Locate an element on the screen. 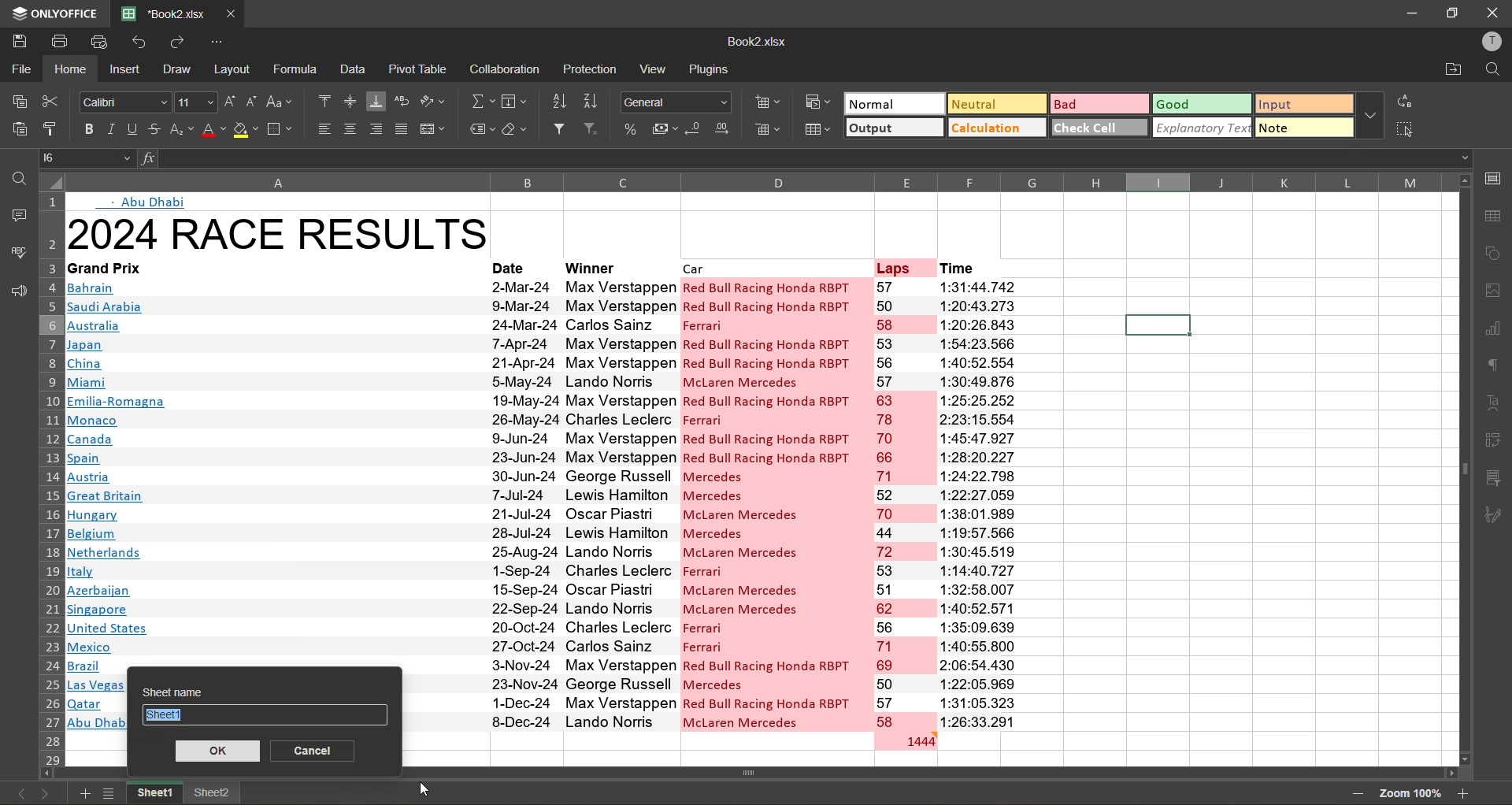  file is located at coordinates (20, 68).